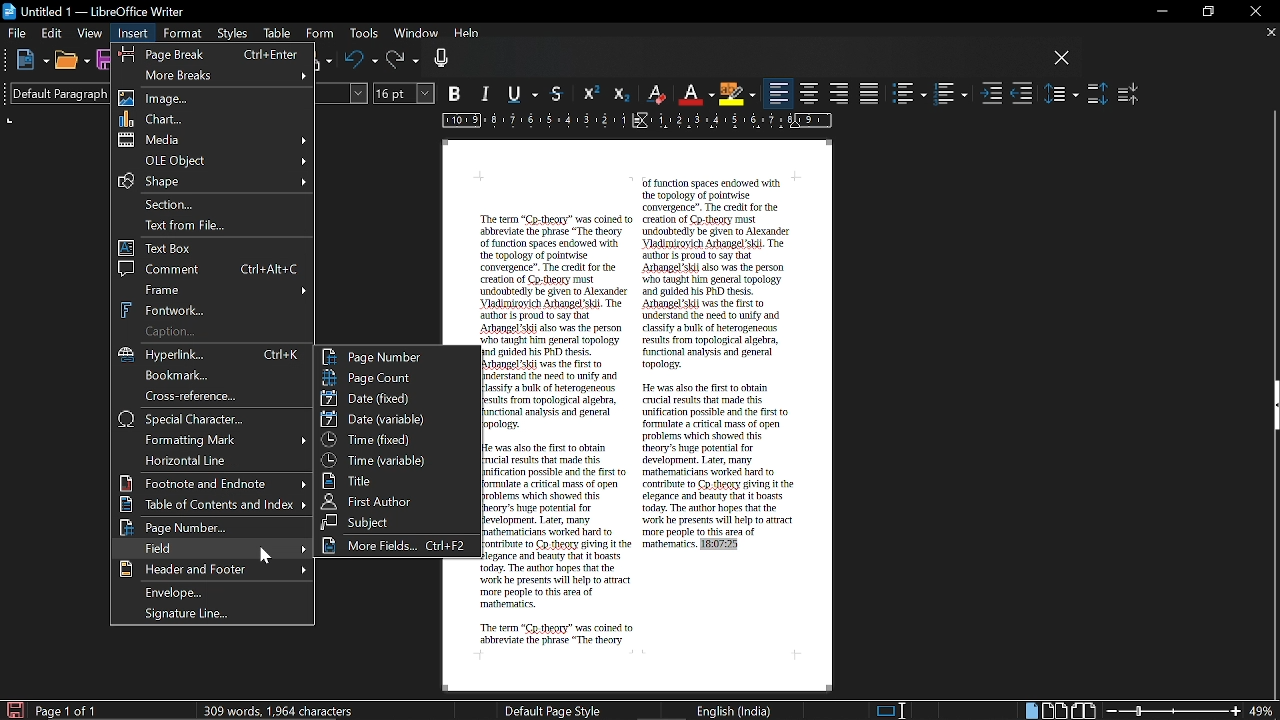 This screenshot has height=720, width=1280. Describe the element at coordinates (619, 94) in the screenshot. I see `Subscript` at that location.